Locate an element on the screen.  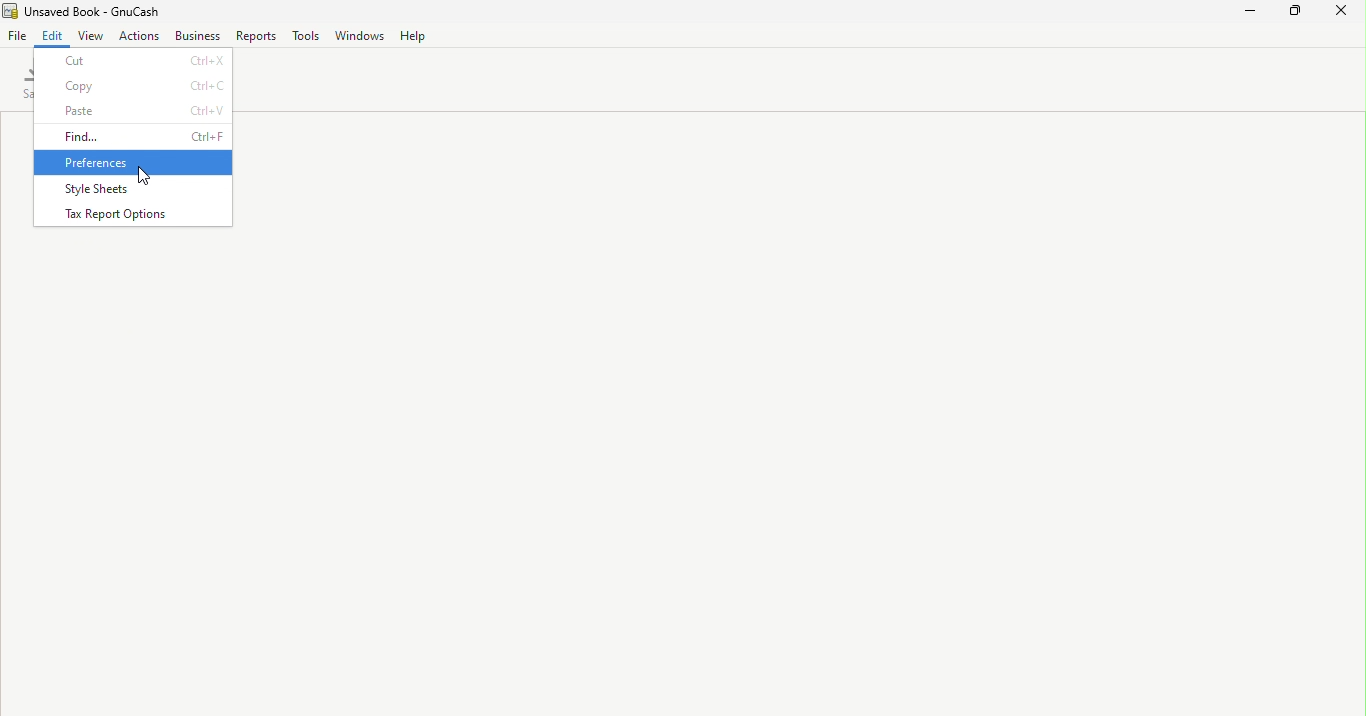
Reports is located at coordinates (254, 36).